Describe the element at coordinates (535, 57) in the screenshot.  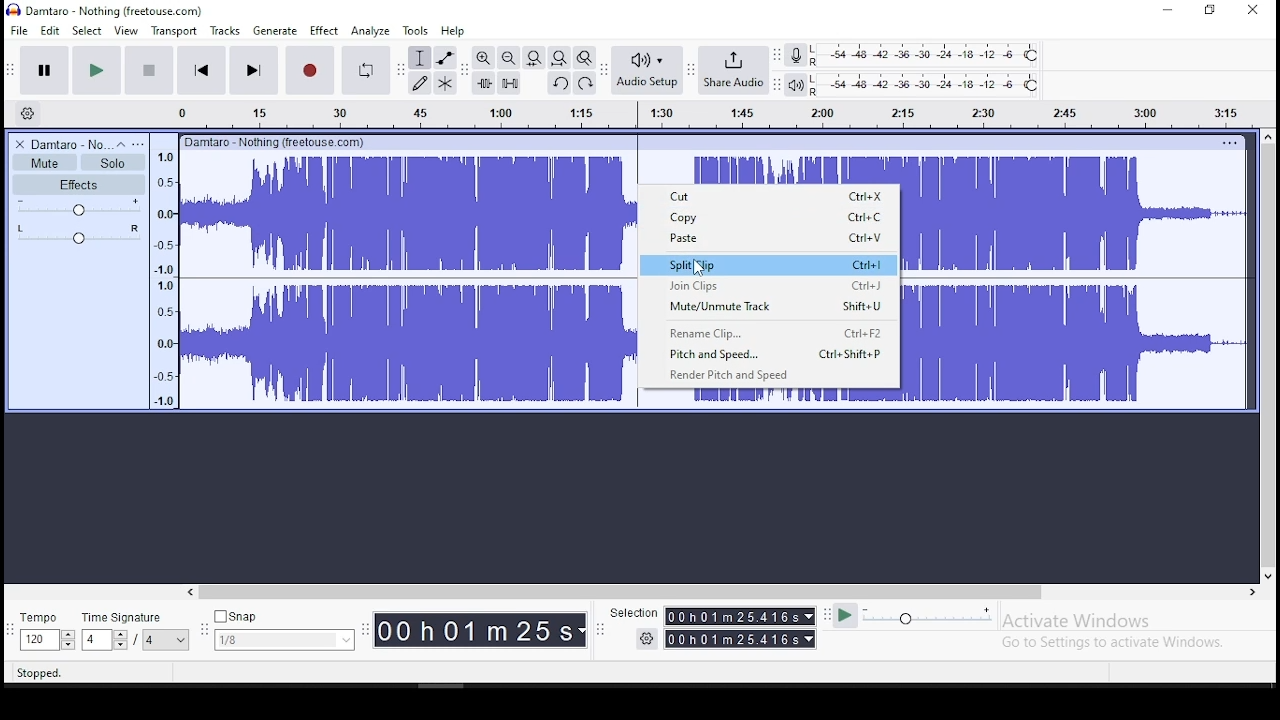
I see `fit project to width` at that location.